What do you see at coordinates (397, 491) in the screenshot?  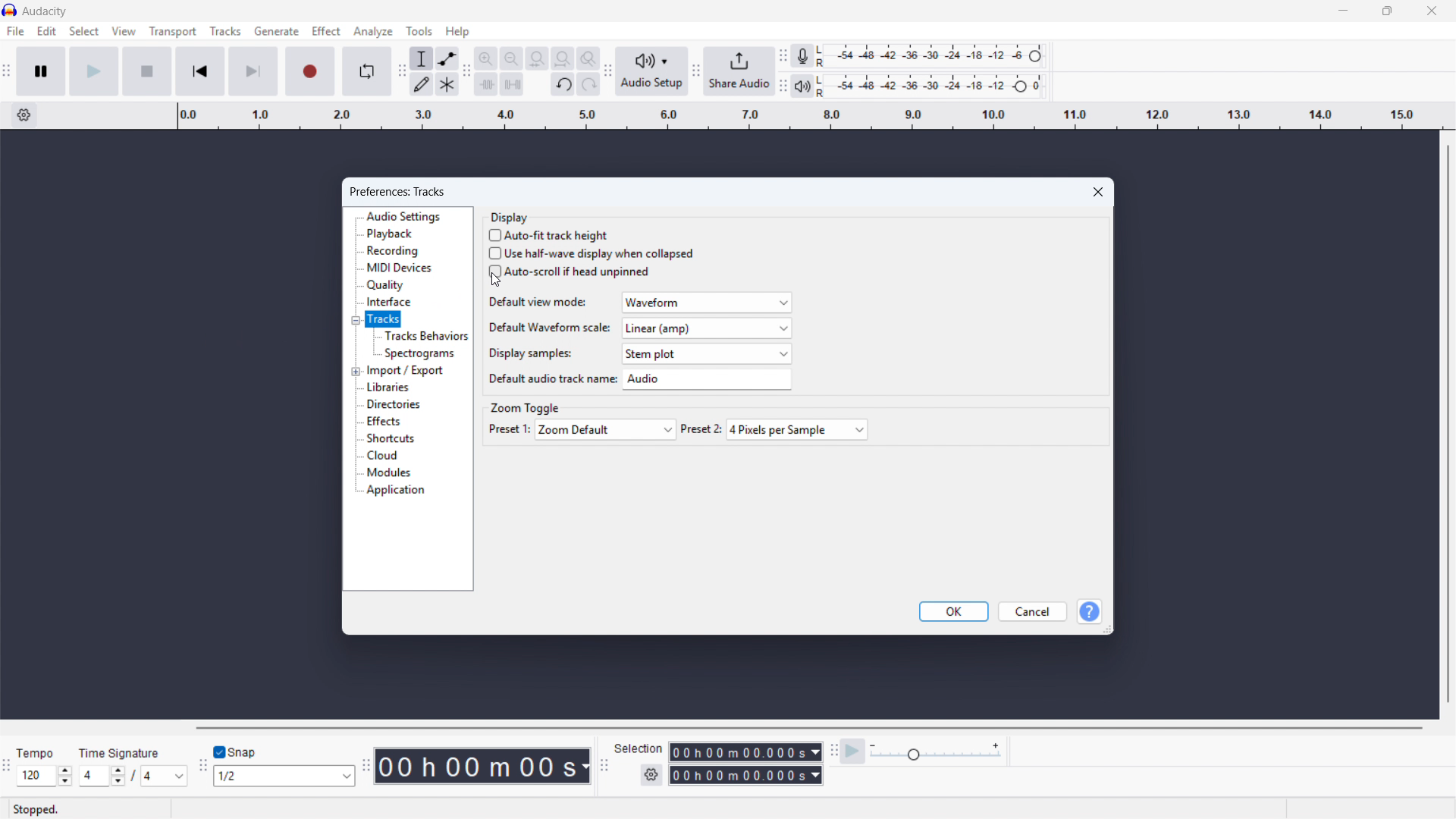 I see `application` at bounding box center [397, 491].